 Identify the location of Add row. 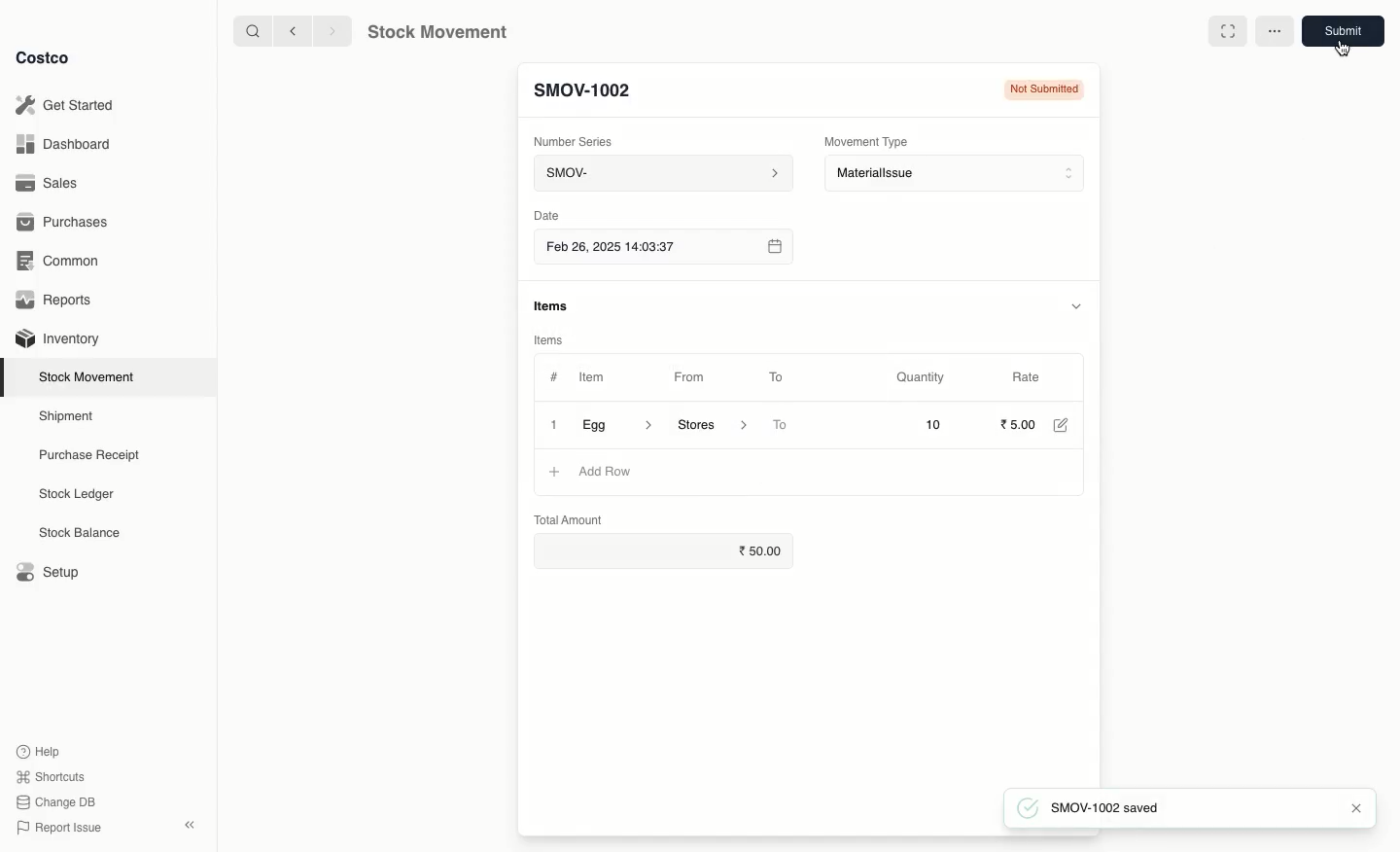
(604, 472).